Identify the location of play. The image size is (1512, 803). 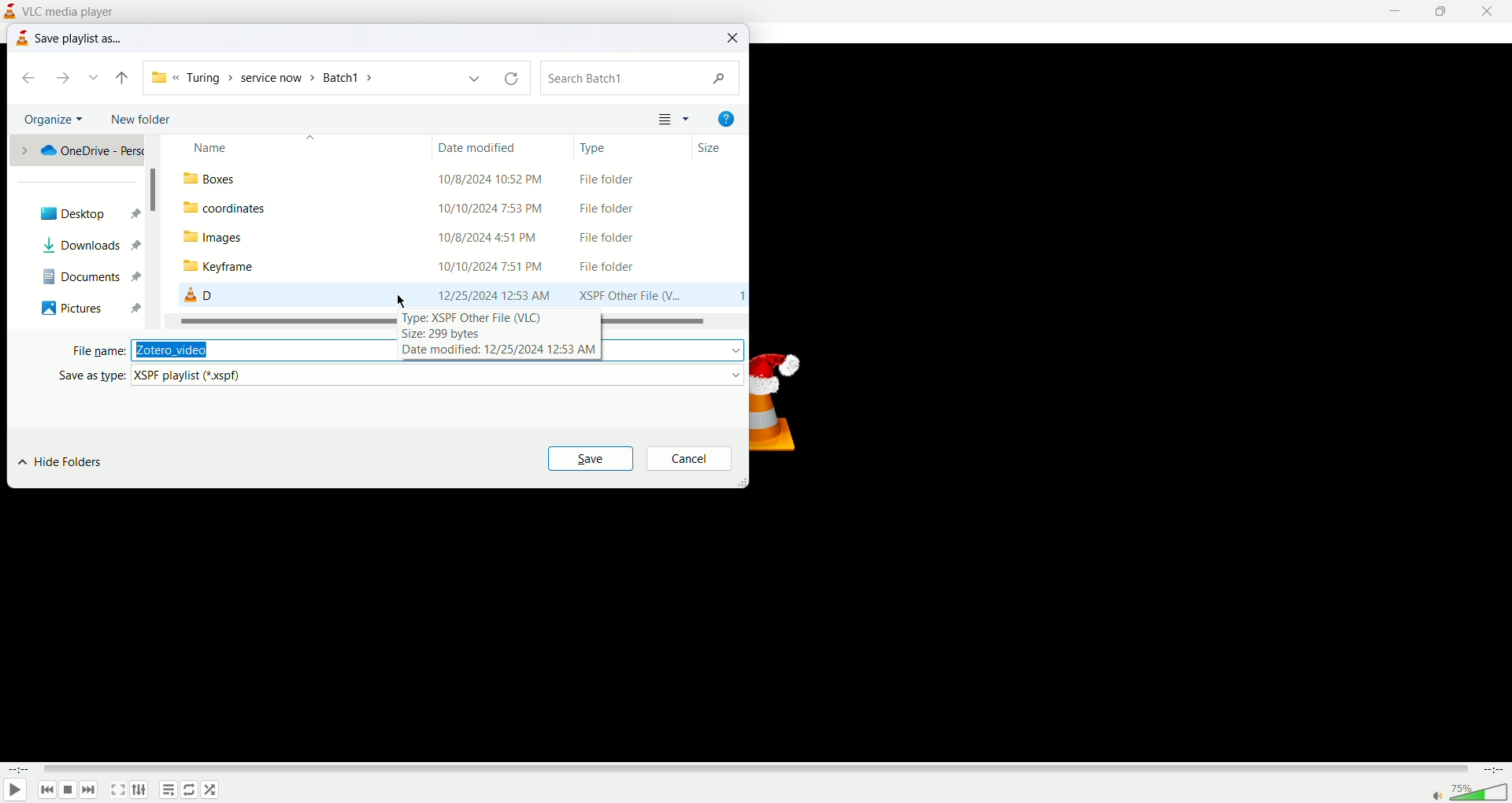
(17, 789).